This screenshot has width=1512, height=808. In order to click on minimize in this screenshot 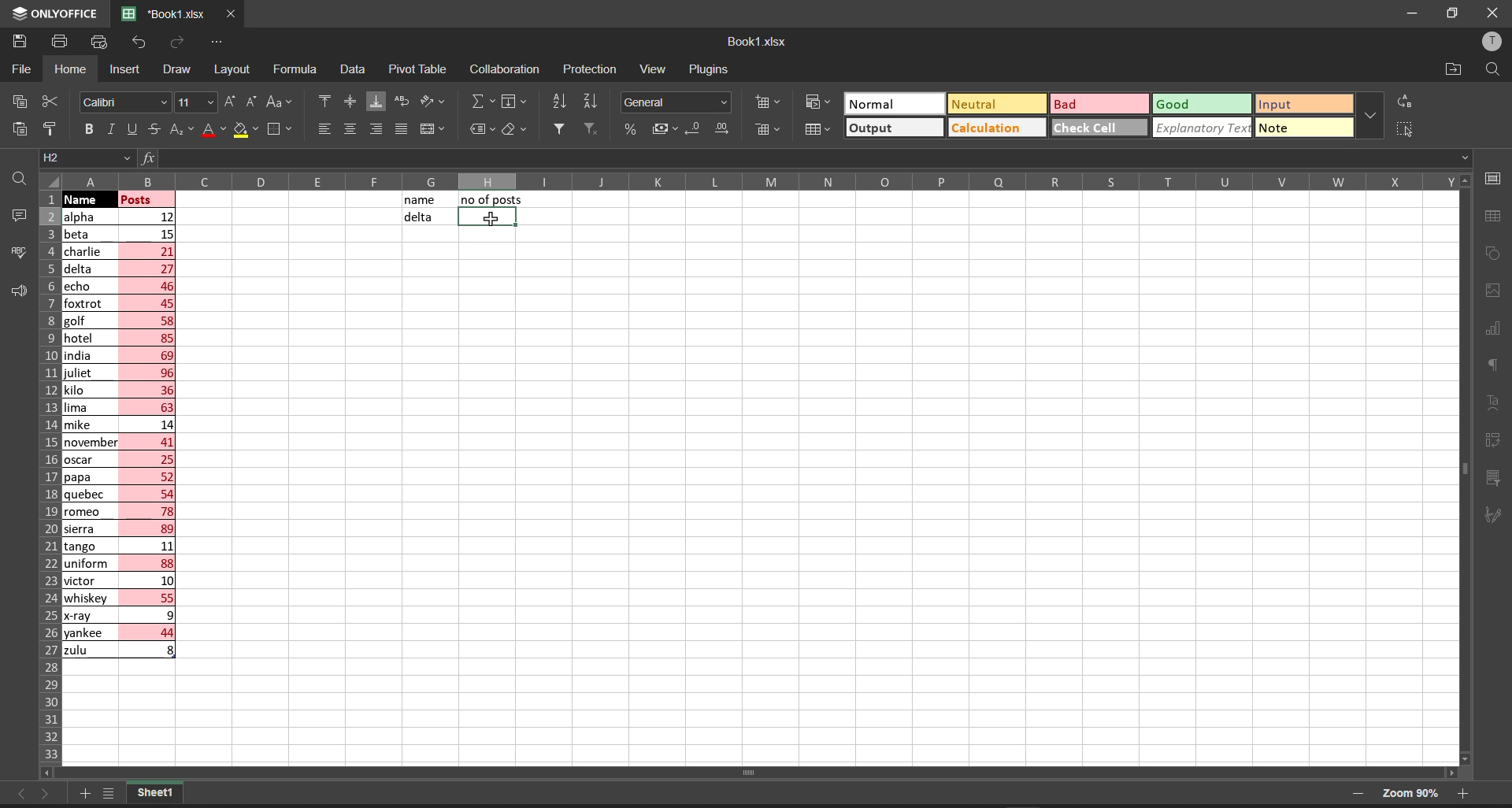, I will do `click(1417, 14)`.